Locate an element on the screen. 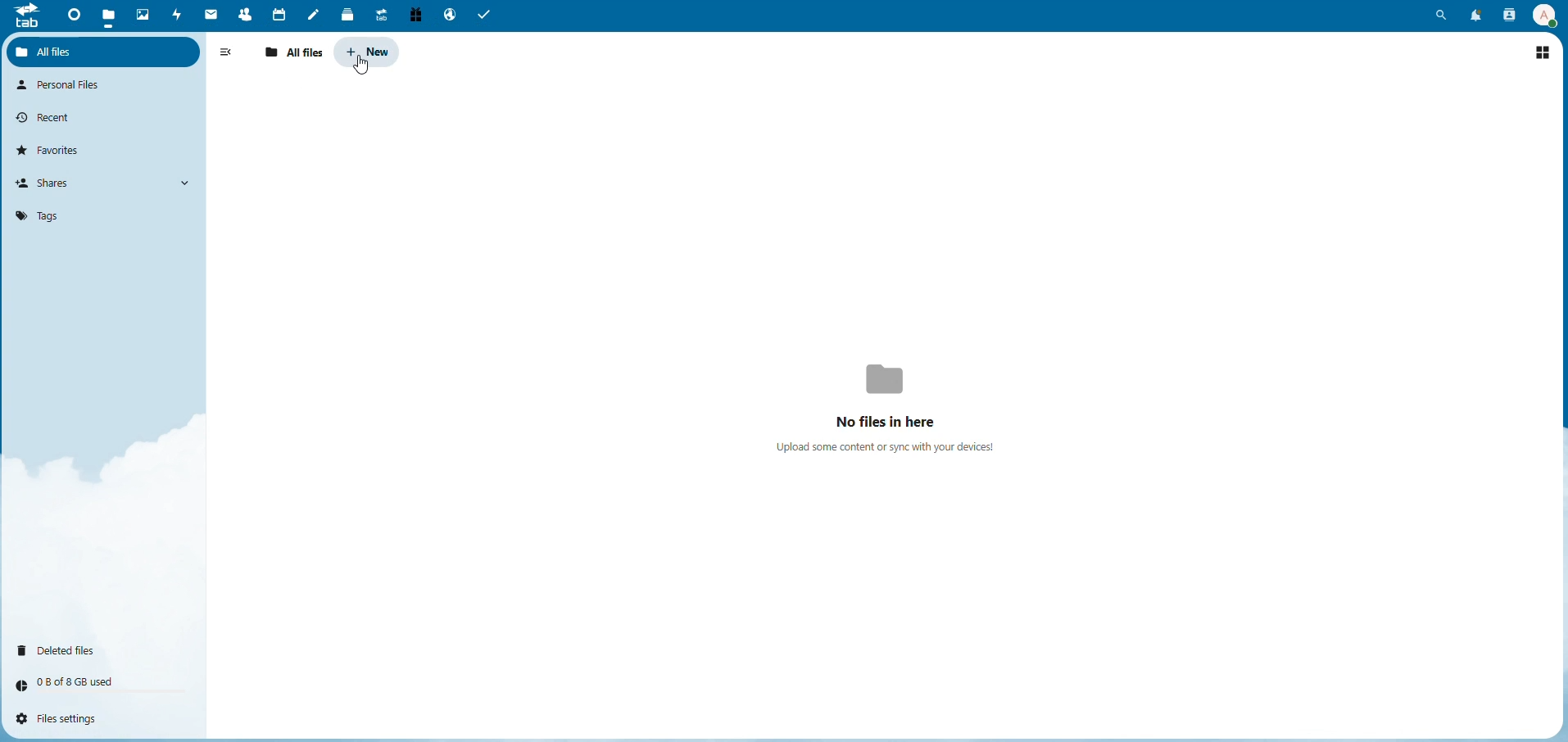 The width and height of the screenshot is (1568, 742). Contacts is located at coordinates (1507, 16).